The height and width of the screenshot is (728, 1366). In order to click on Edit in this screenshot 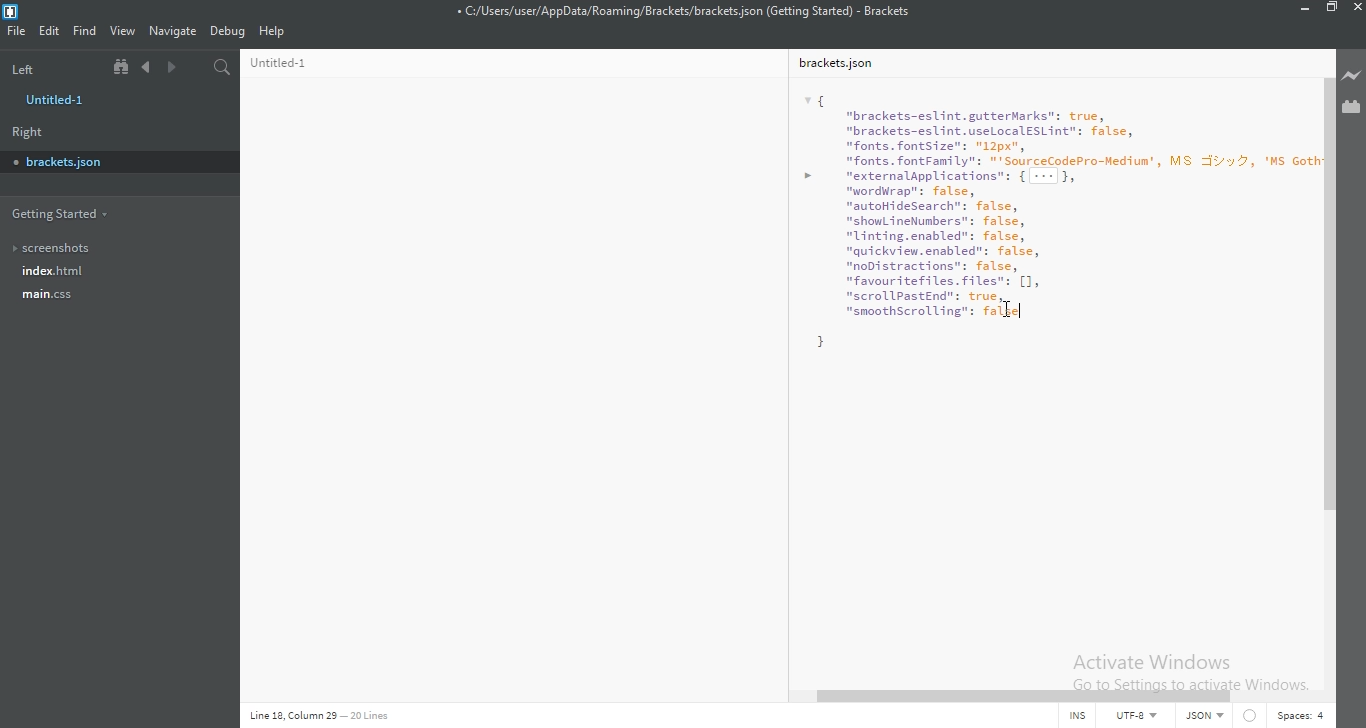, I will do `click(52, 30)`.